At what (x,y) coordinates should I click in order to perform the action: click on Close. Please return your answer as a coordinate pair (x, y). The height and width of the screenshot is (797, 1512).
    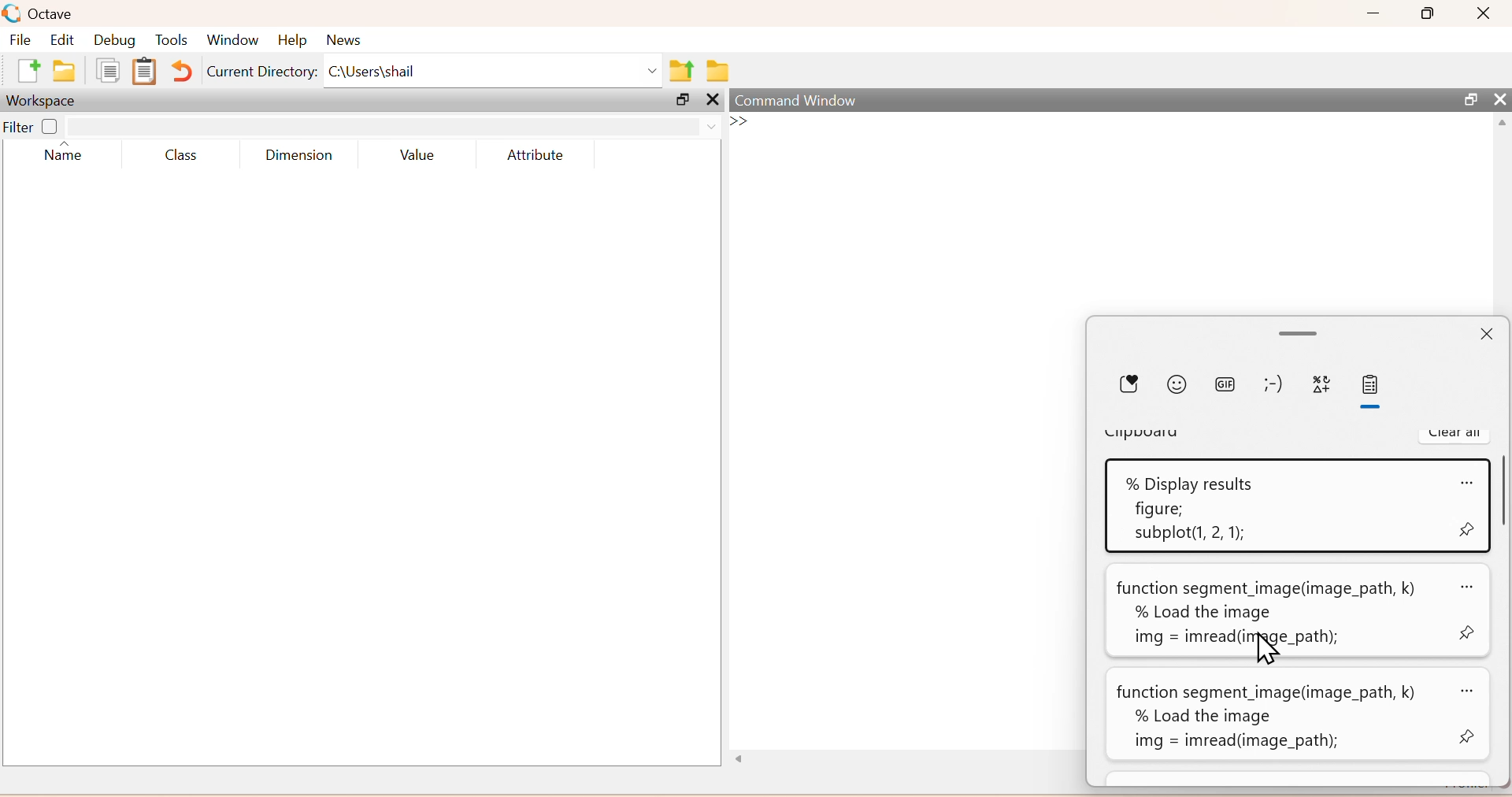
    Looking at the image, I should click on (1496, 100).